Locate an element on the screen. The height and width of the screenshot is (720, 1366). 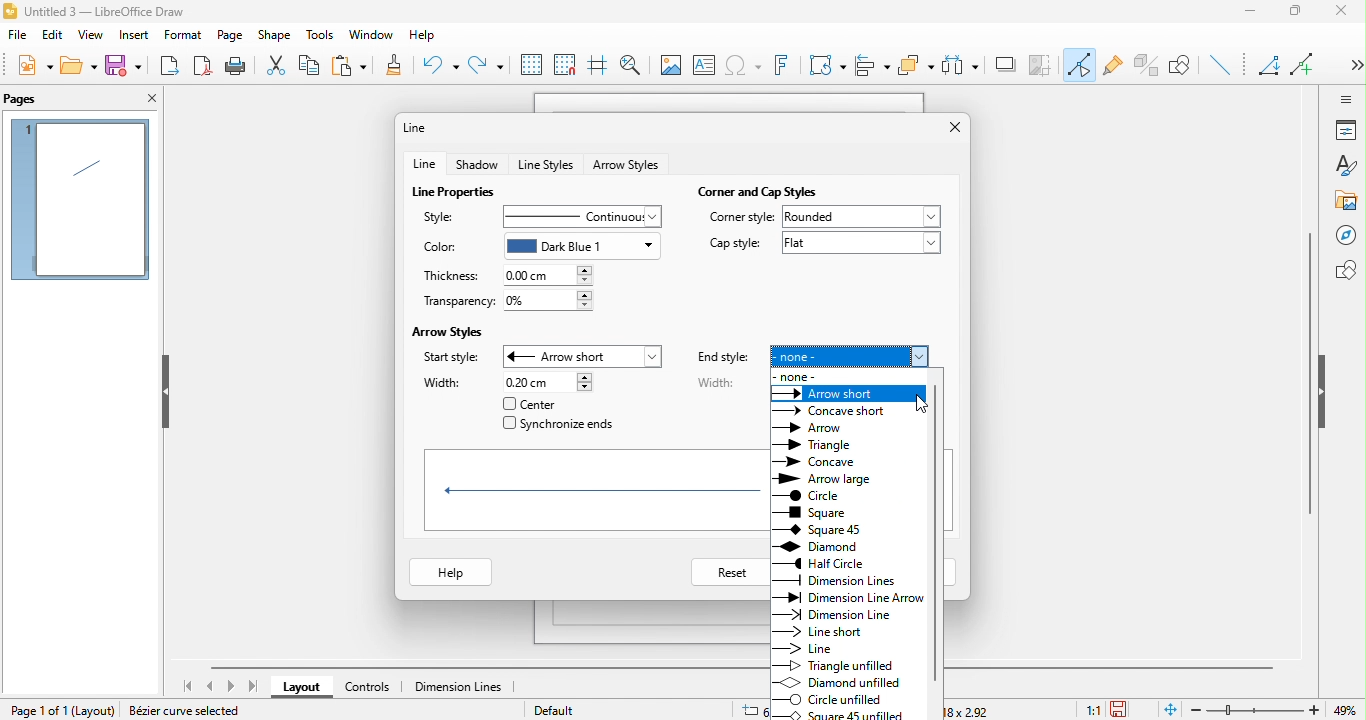
tools is located at coordinates (315, 34).